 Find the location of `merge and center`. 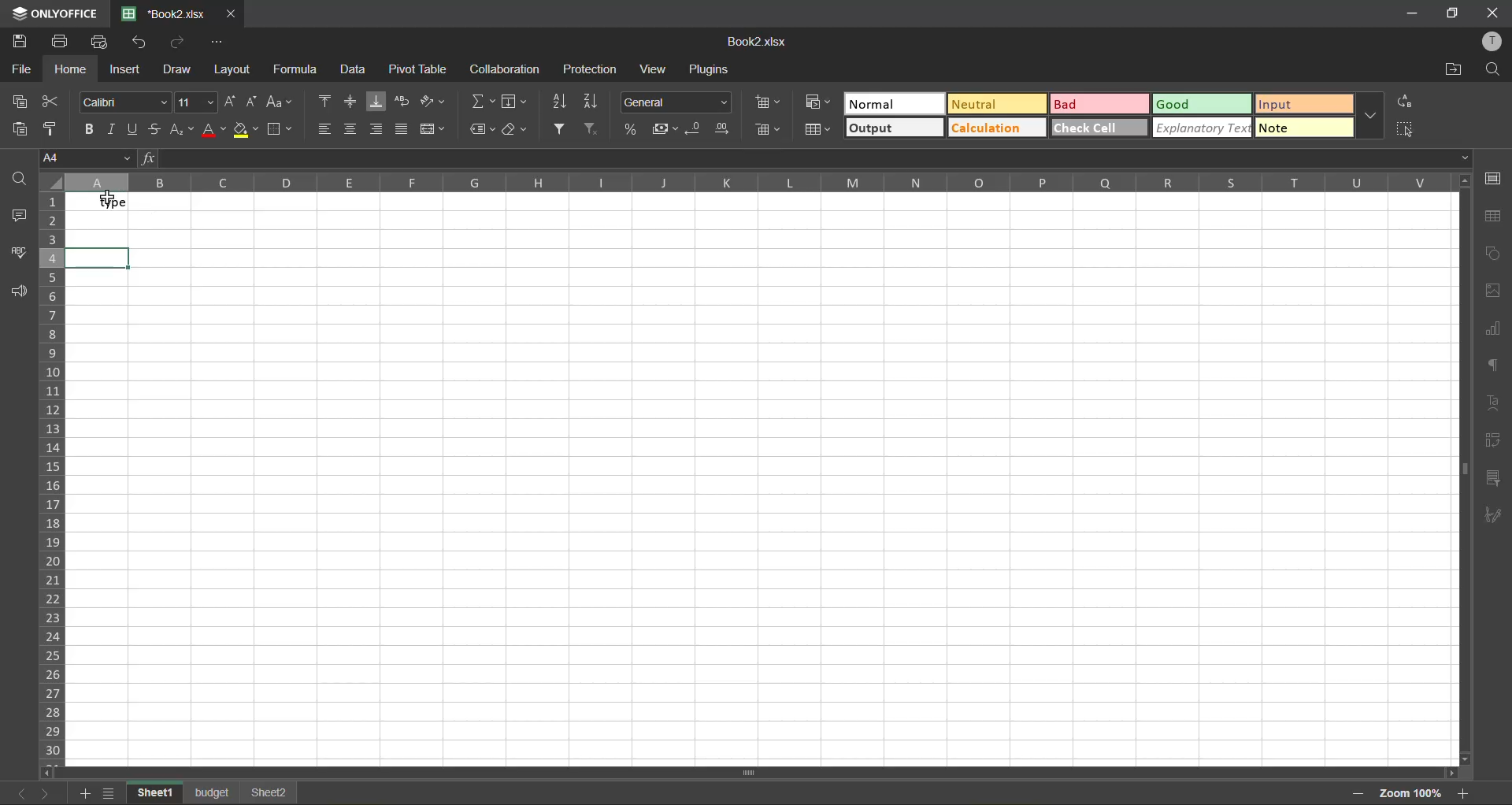

merge and center is located at coordinates (434, 129).